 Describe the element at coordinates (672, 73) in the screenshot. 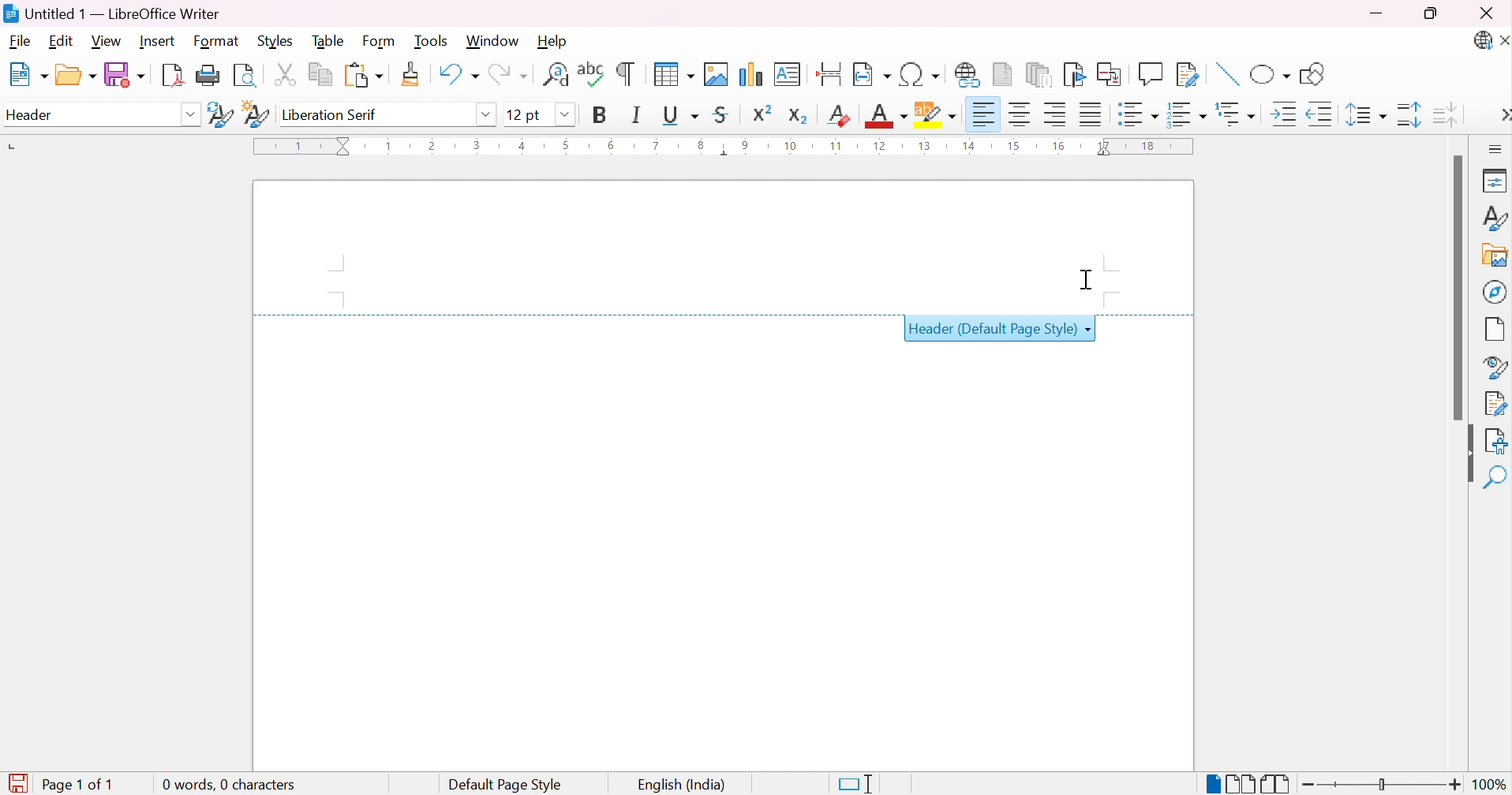

I see `Insert table` at that location.